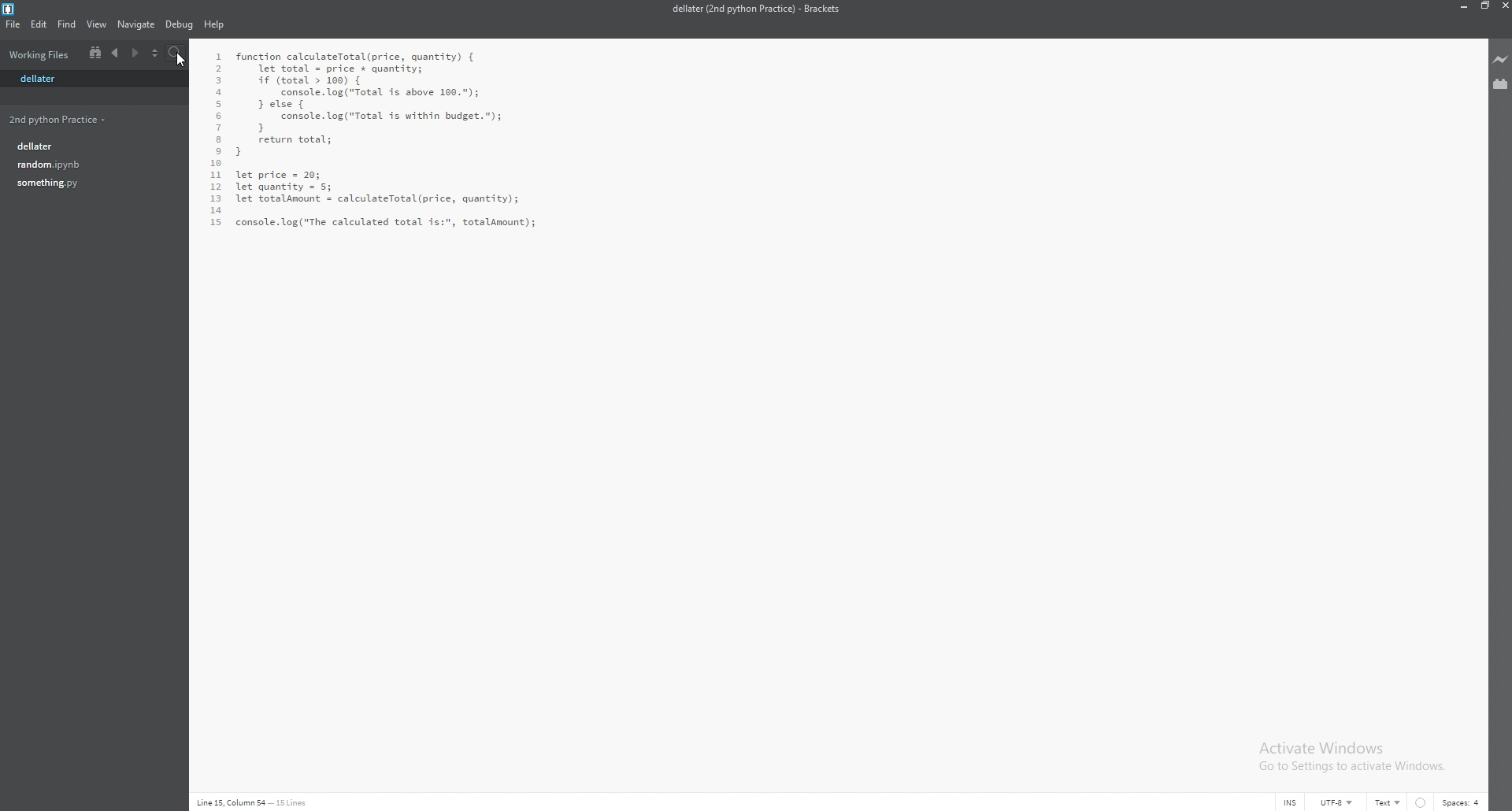  What do you see at coordinates (217, 151) in the screenshot?
I see `9` at bounding box center [217, 151].